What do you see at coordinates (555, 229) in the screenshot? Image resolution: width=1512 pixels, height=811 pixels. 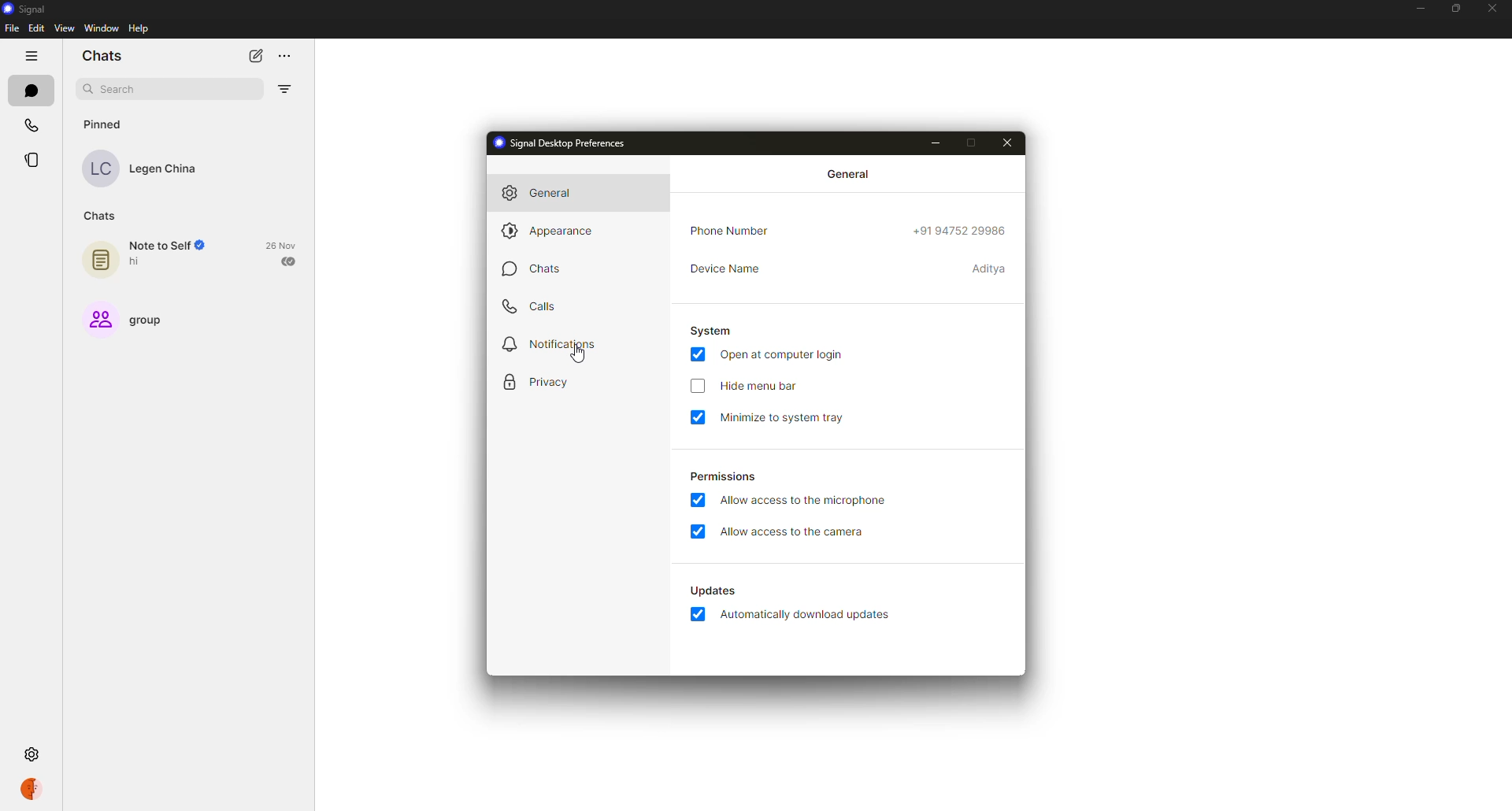 I see `appearance` at bounding box center [555, 229].